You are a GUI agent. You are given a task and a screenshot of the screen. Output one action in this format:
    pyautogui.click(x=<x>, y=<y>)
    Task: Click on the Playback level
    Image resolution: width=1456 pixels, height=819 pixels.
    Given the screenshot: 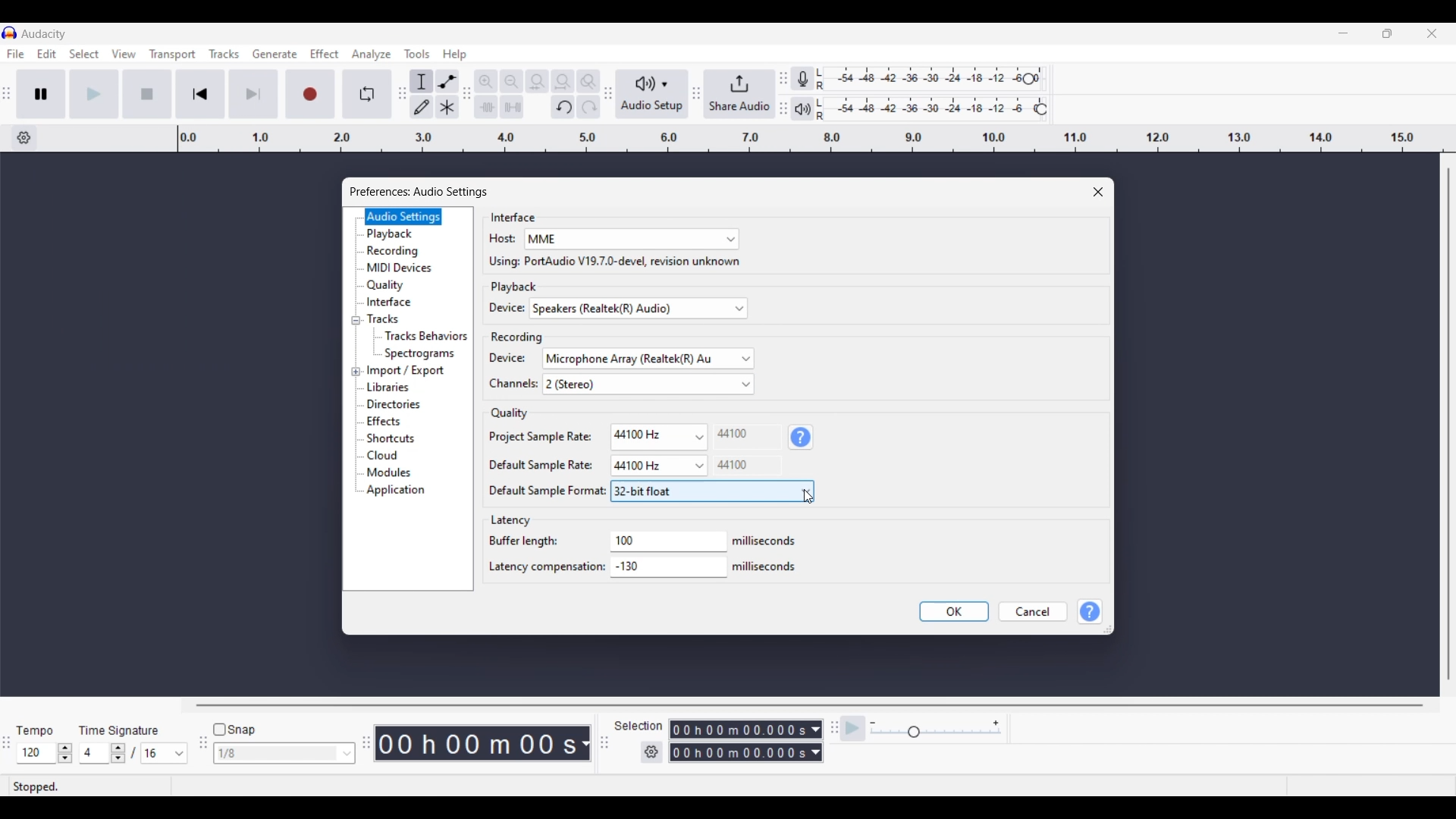 What is the action you would take?
    pyautogui.click(x=935, y=109)
    